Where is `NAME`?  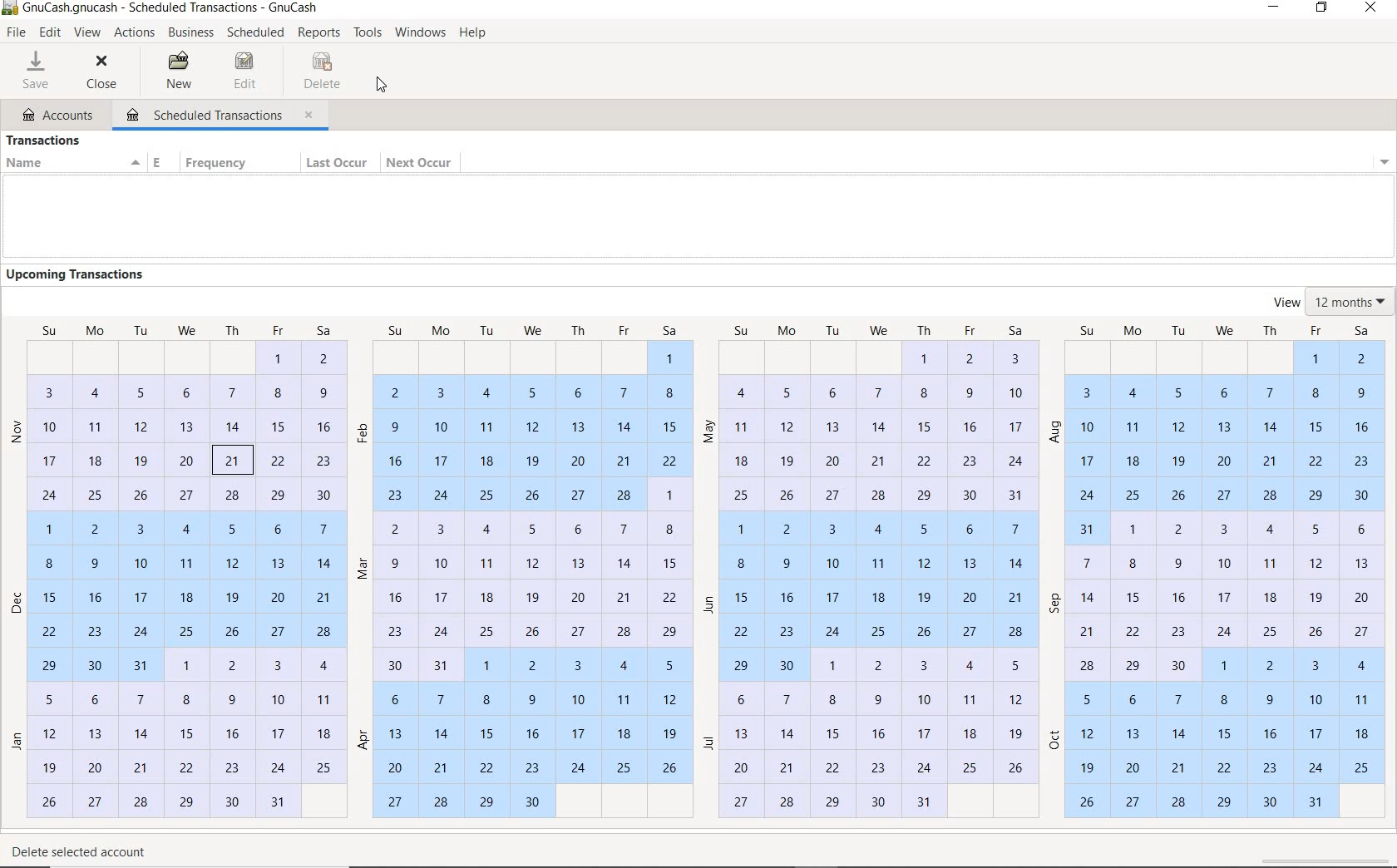 NAME is located at coordinates (72, 165).